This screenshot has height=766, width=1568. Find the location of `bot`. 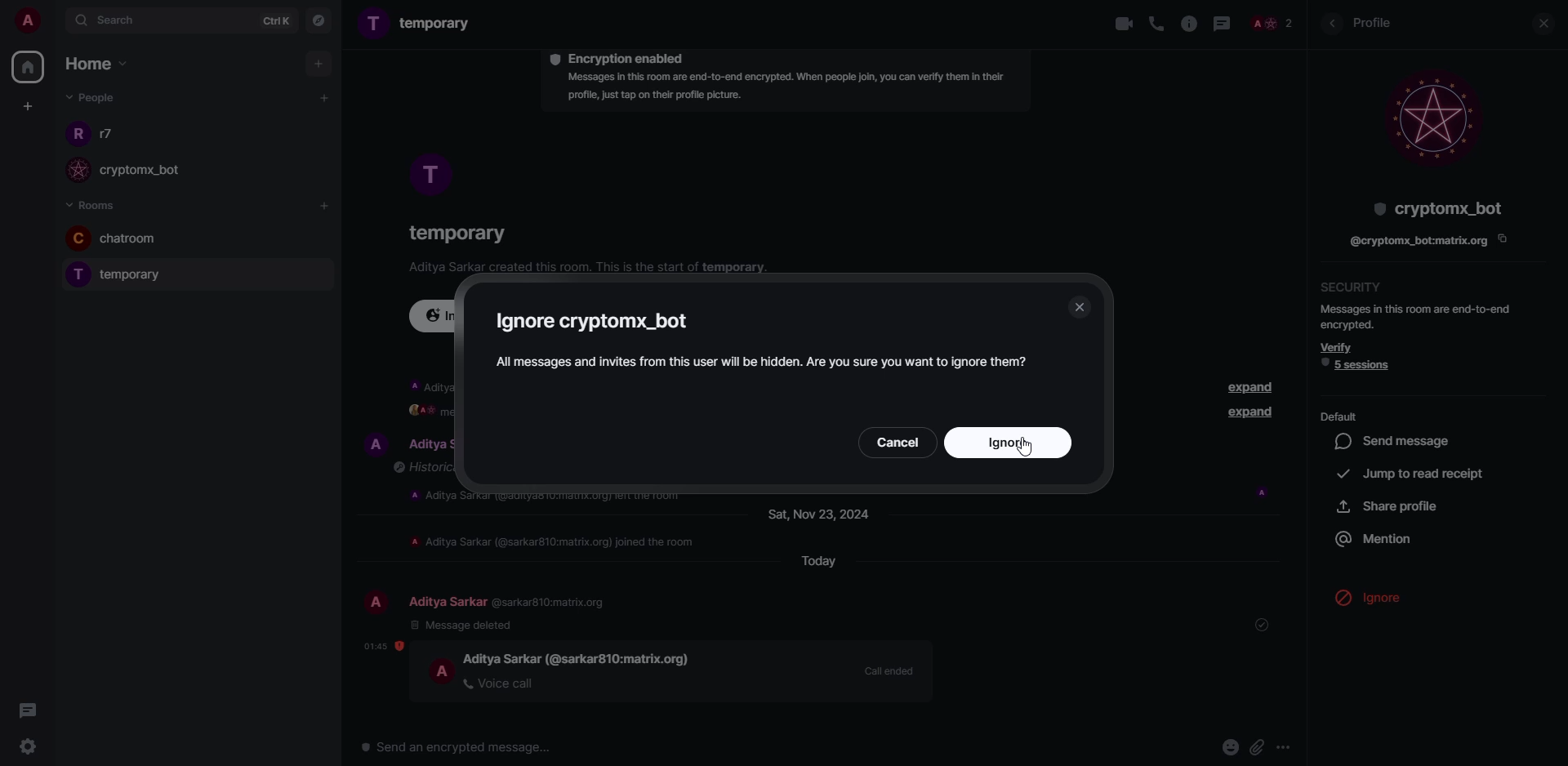

bot is located at coordinates (1435, 207).